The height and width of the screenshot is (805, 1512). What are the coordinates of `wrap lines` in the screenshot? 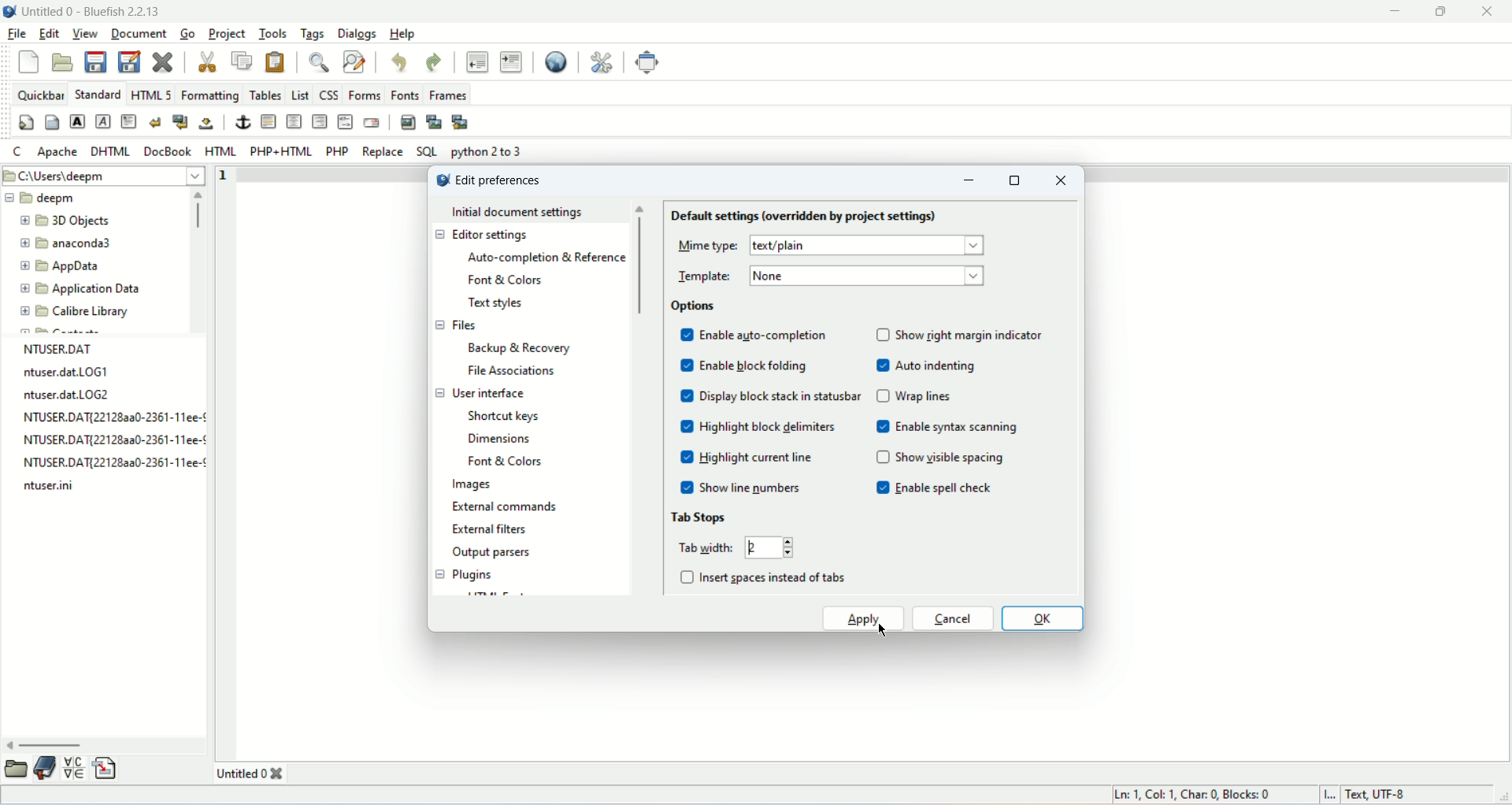 It's located at (925, 398).